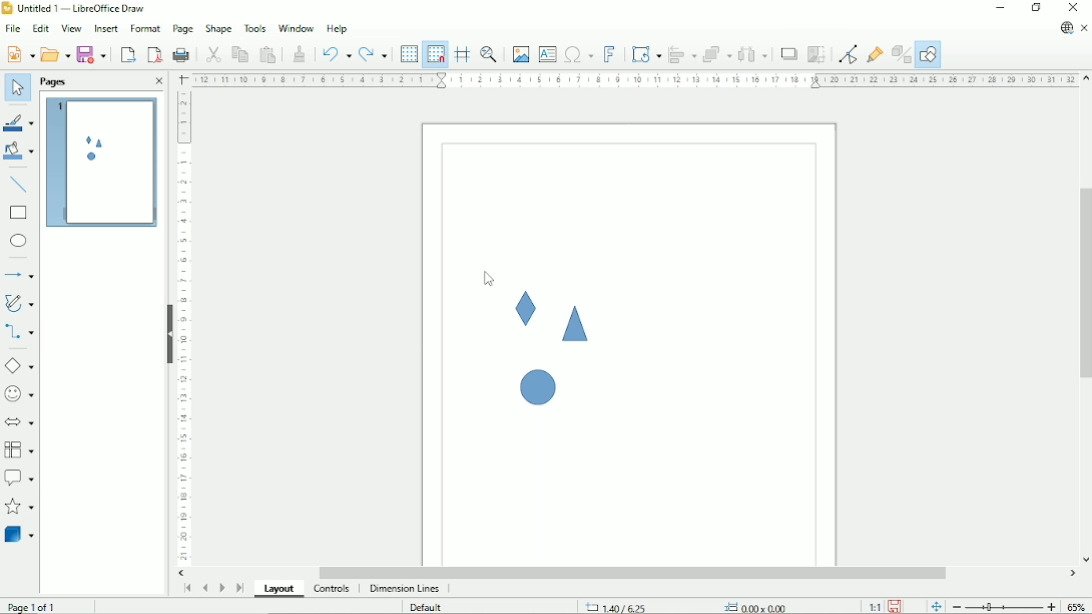 This screenshot has height=614, width=1092. Describe the element at coordinates (55, 82) in the screenshot. I see `Pages` at that location.